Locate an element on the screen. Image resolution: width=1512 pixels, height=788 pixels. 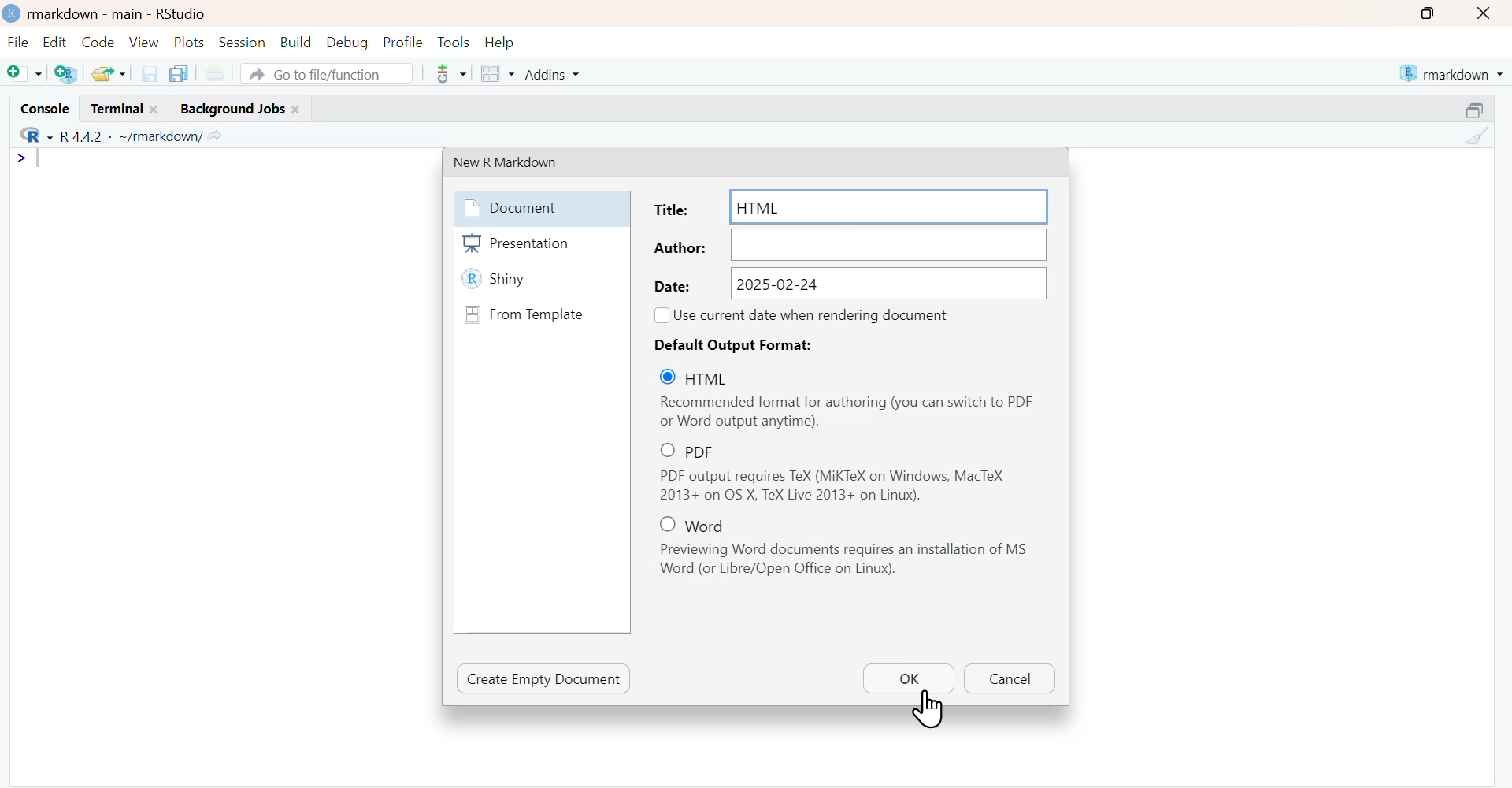
Close is located at coordinates (1485, 13).